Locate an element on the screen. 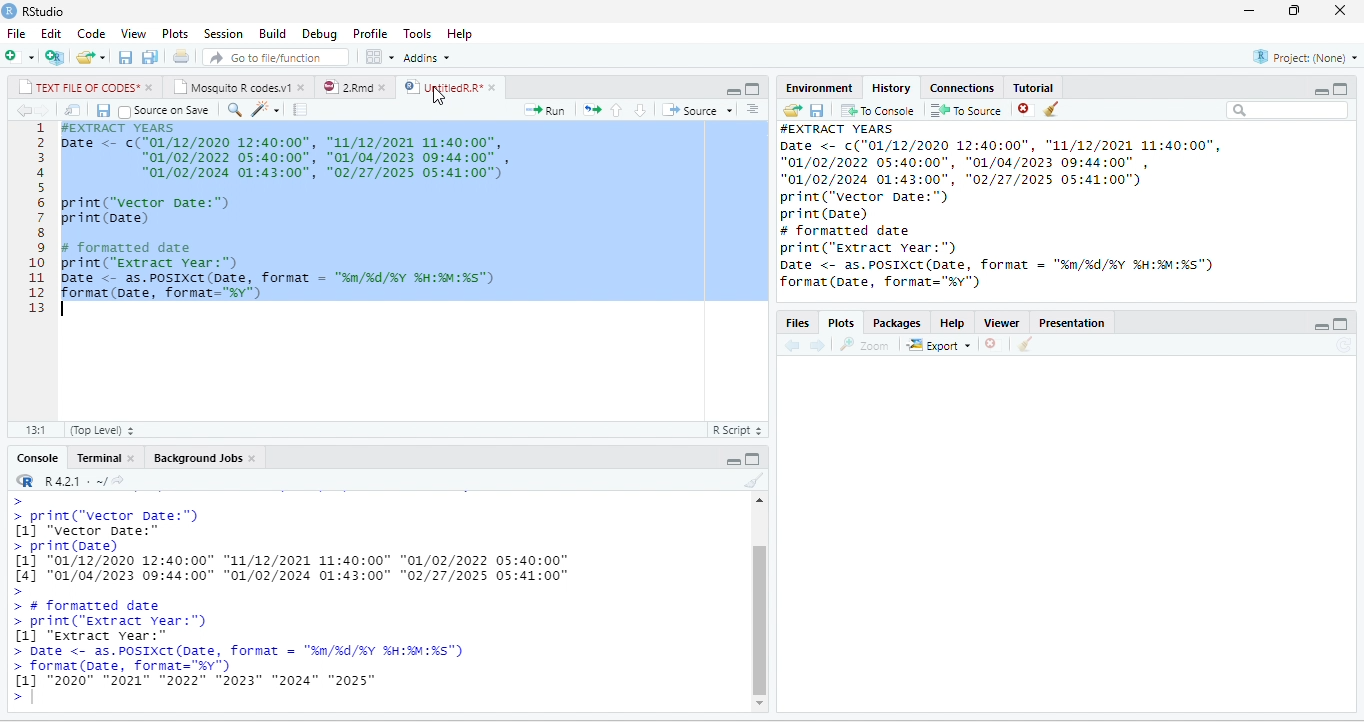 The width and height of the screenshot is (1364, 722). back is located at coordinates (23, 110).